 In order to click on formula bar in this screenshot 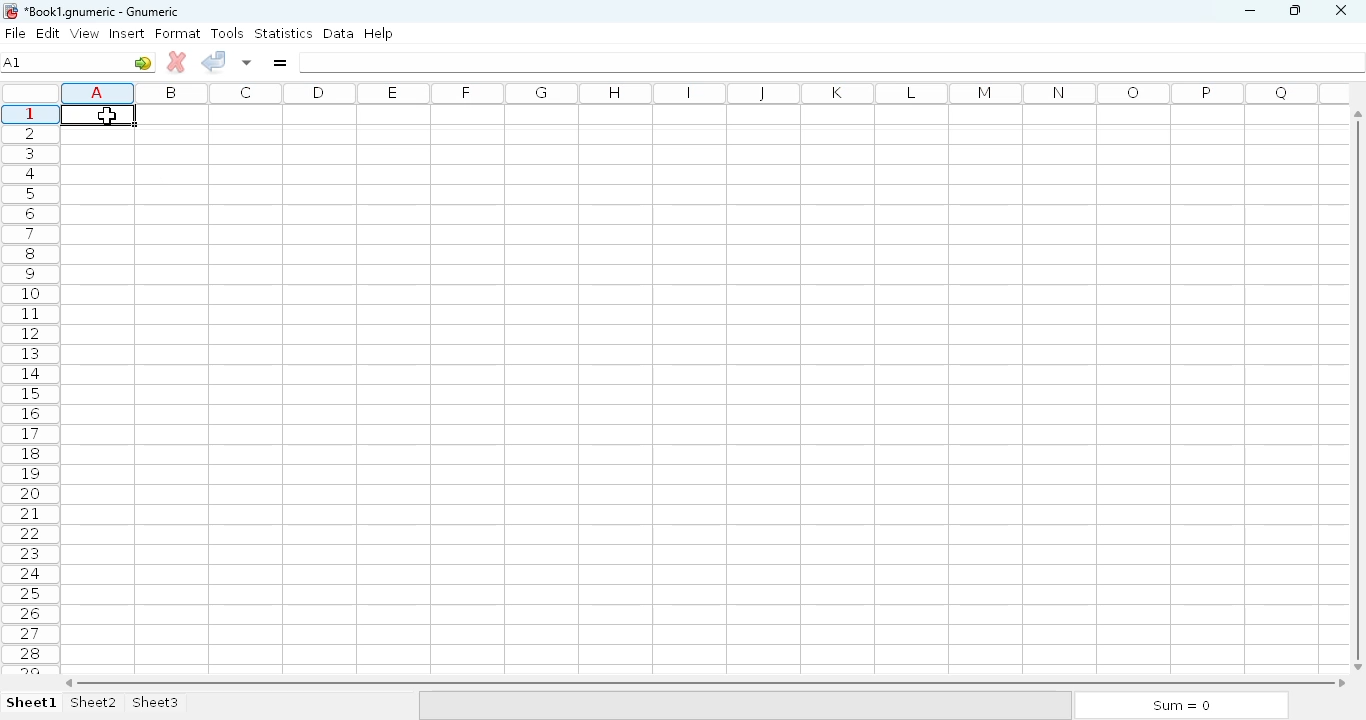, I will do `click(833, 62)`.